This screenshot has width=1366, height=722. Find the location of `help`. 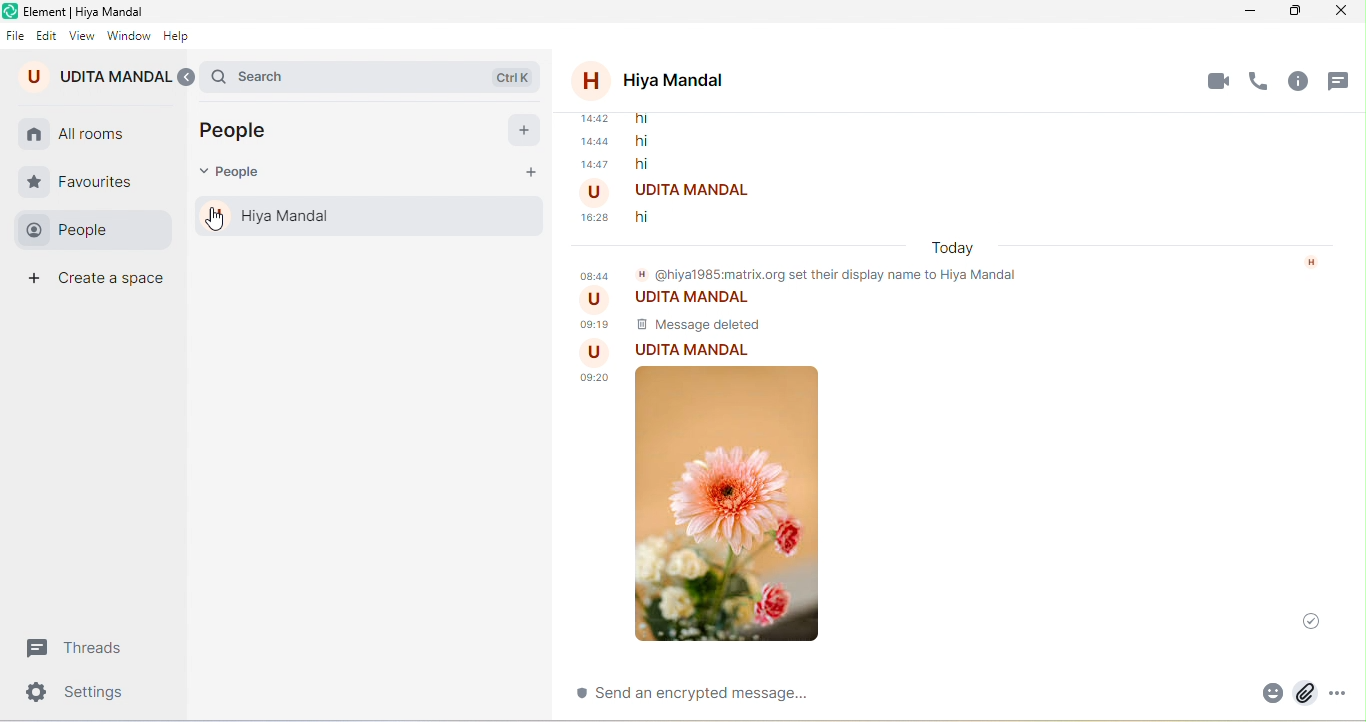

help is located at coordinates (184, 35).